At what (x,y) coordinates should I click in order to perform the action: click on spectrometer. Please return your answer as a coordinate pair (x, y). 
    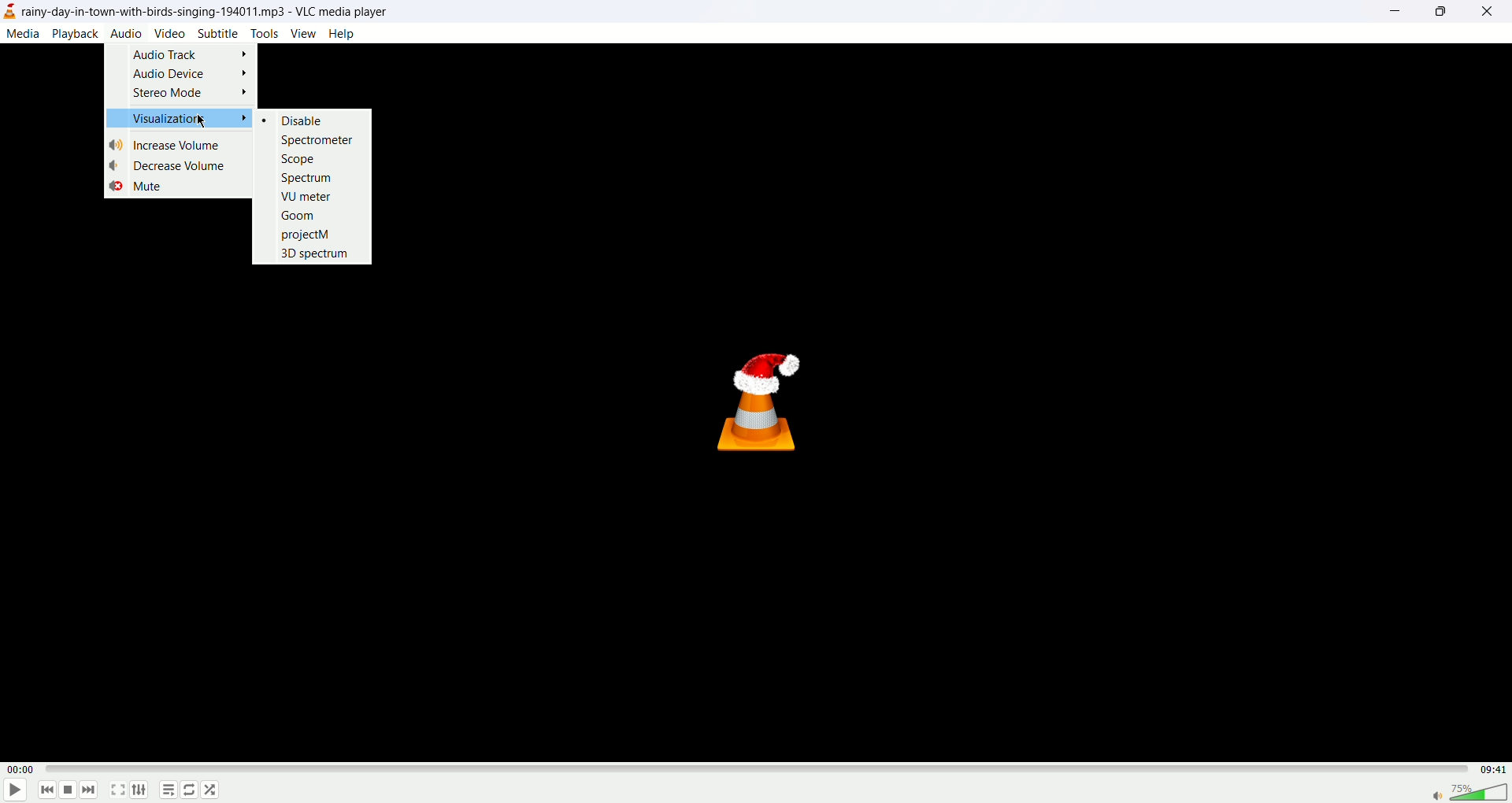
    Looking at the image, I should click on (321, 139).